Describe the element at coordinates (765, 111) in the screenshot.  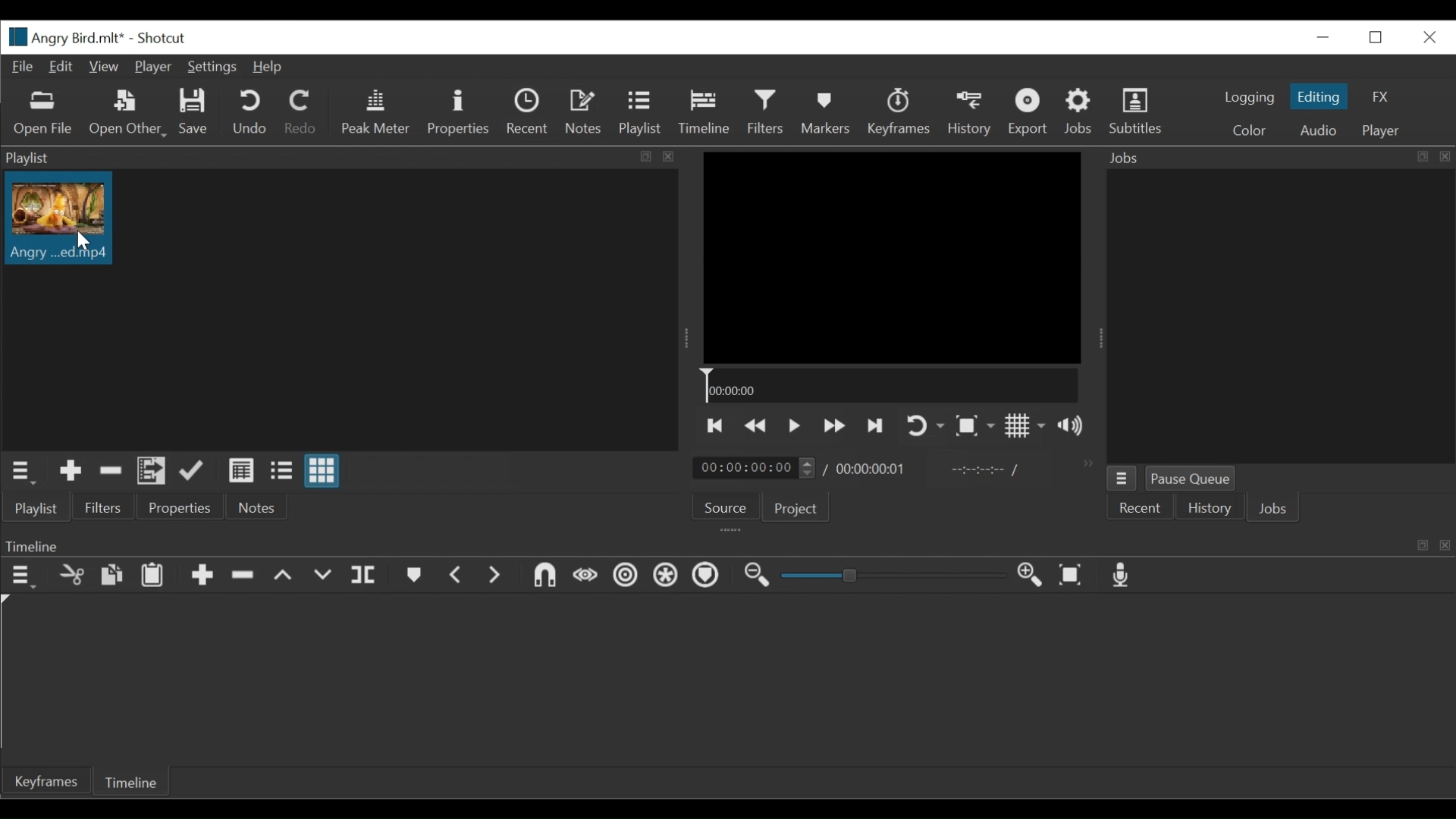
I see `Filter` at that location.